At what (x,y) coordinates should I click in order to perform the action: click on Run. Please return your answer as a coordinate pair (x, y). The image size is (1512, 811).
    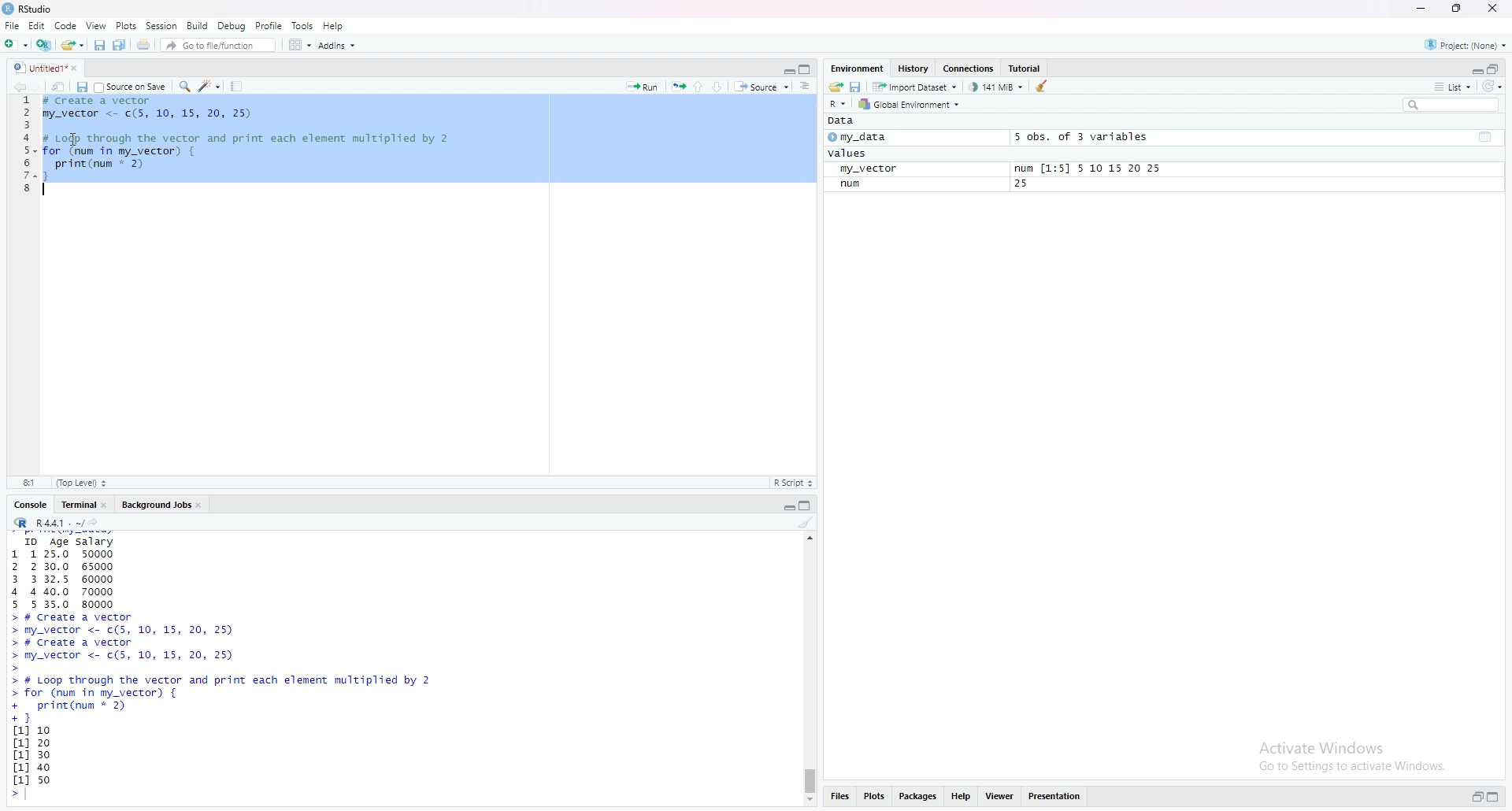
    Looking at the image, I should click on (643, 86).